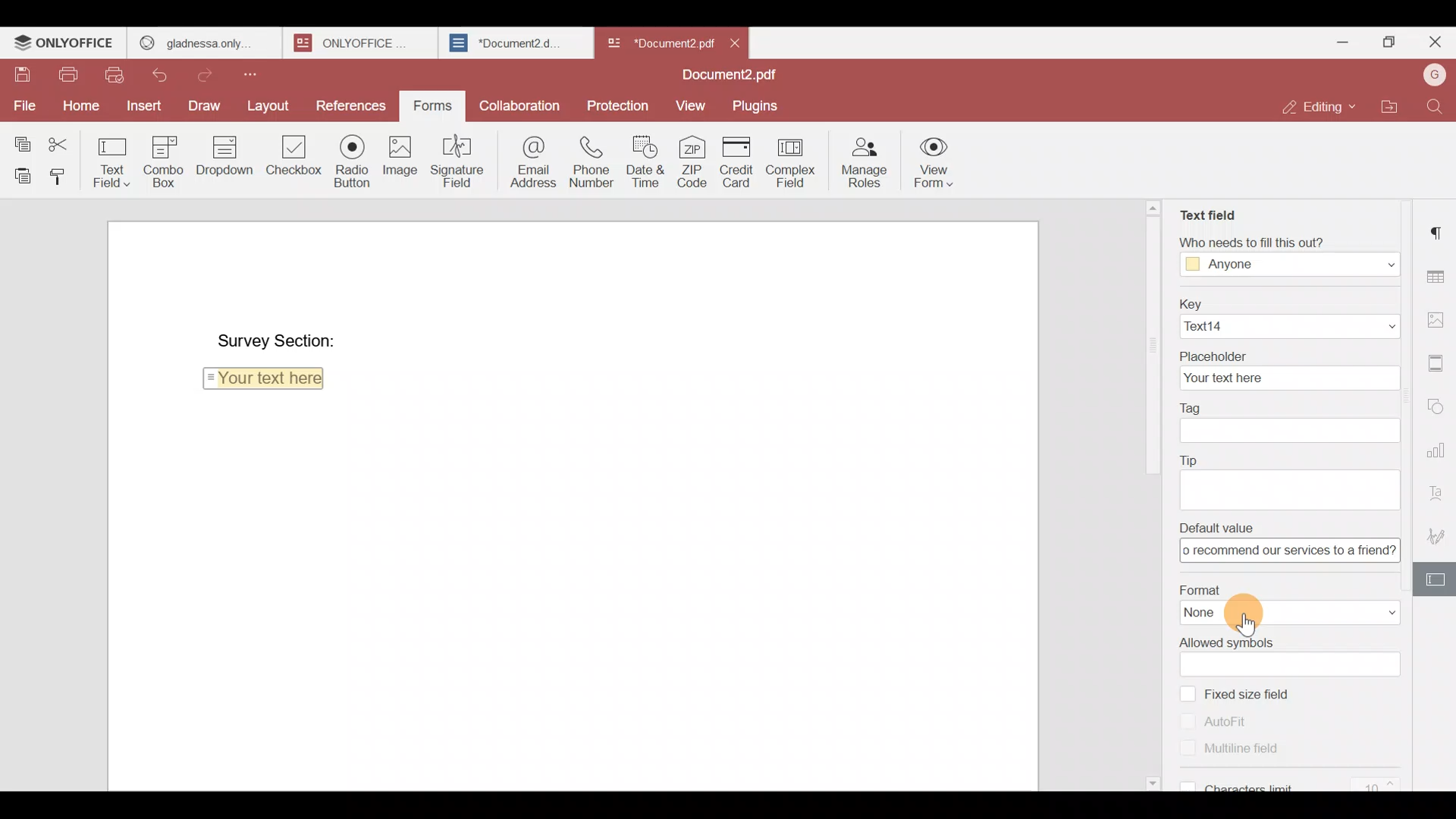 This screenshot has width=1456, height=819. Describe the element at coordinates (22, 137) in the screenshot. I see `Copy` at that location.